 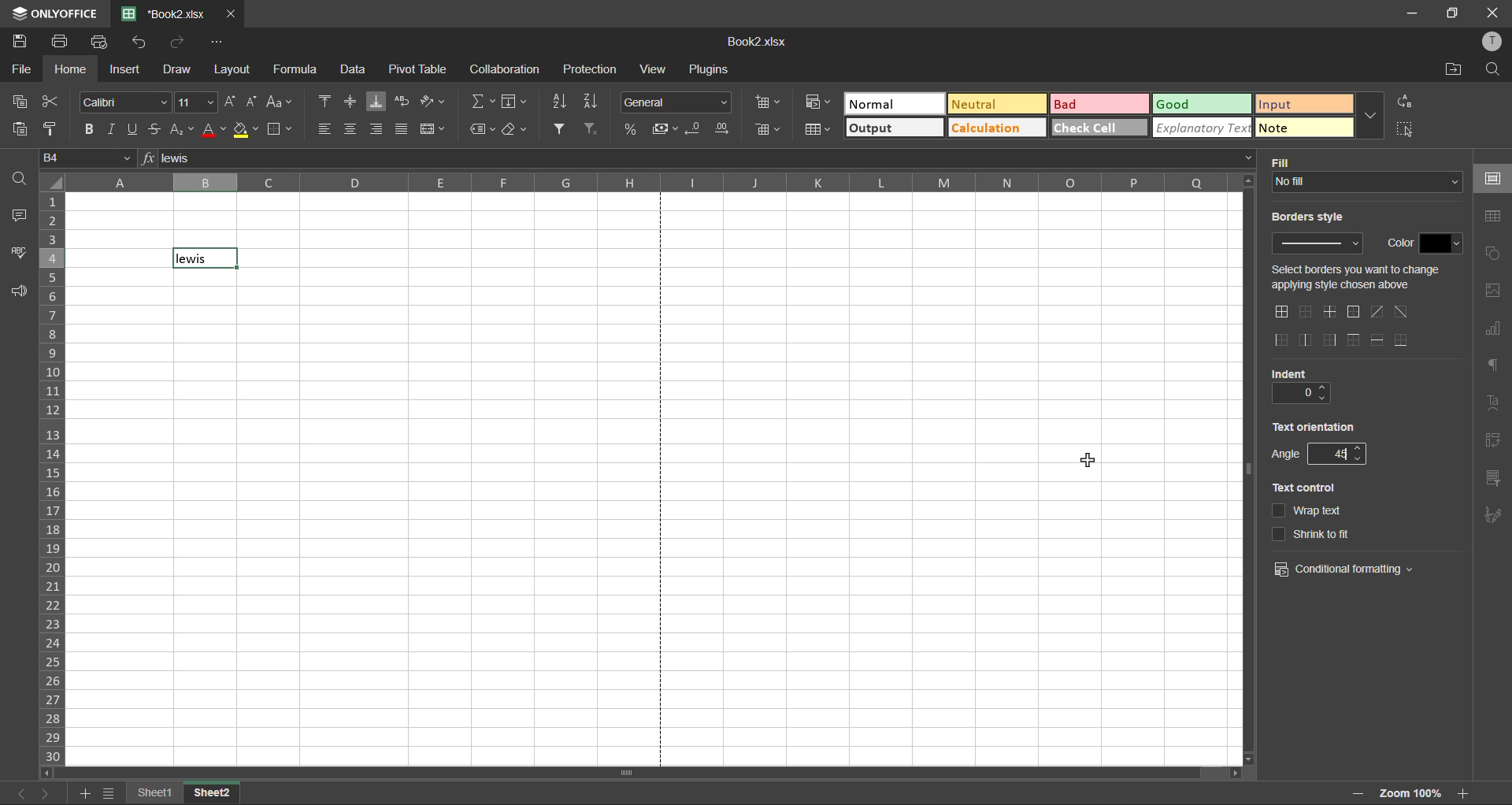 I want to click on wrap text, so click(x=399, y=99).